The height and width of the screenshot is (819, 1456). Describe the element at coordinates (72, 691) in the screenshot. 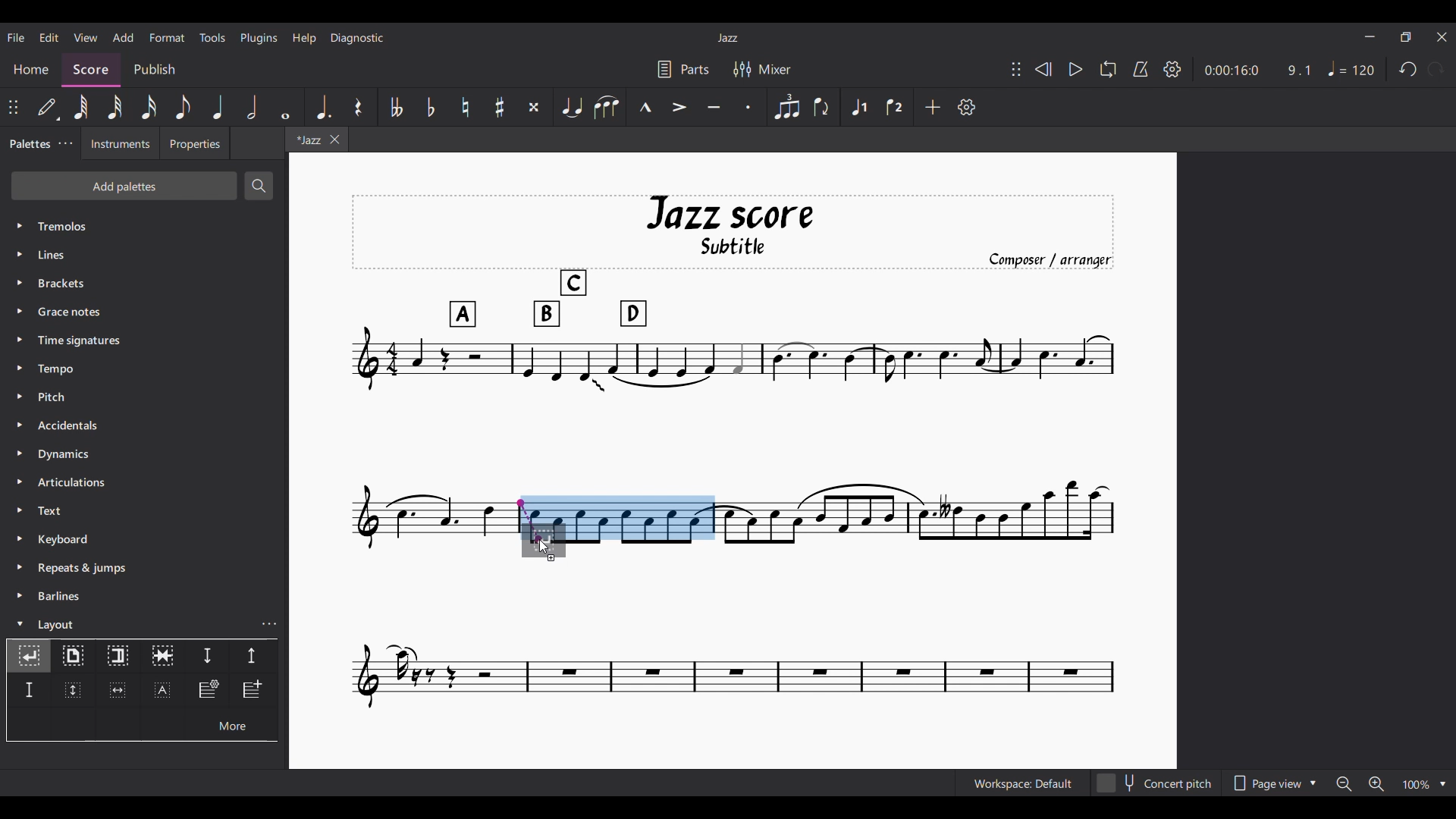

I see `Insert vertical frame` at that location.